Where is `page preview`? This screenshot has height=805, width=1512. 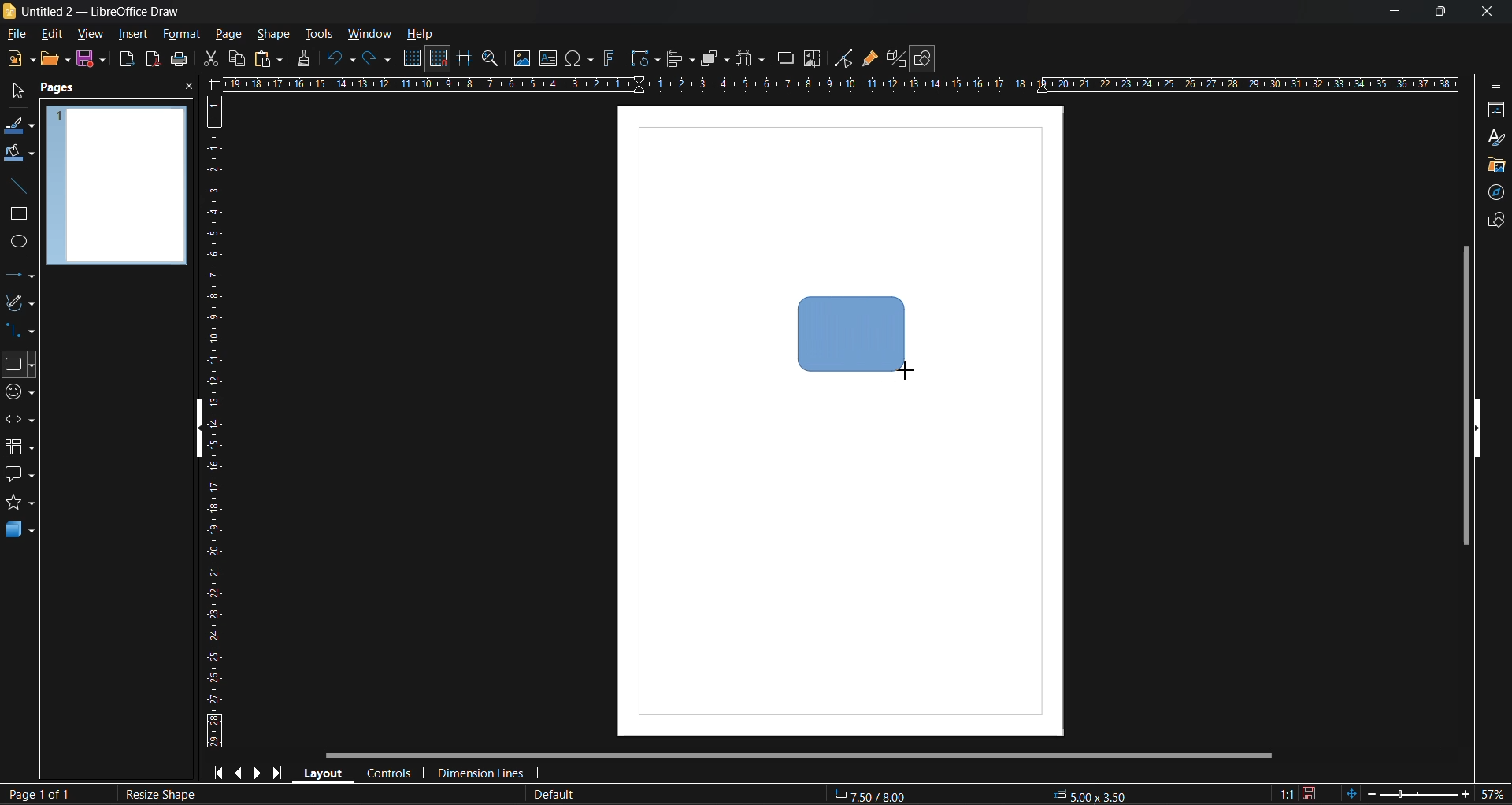
page preview is located at coordinates (117, 185).